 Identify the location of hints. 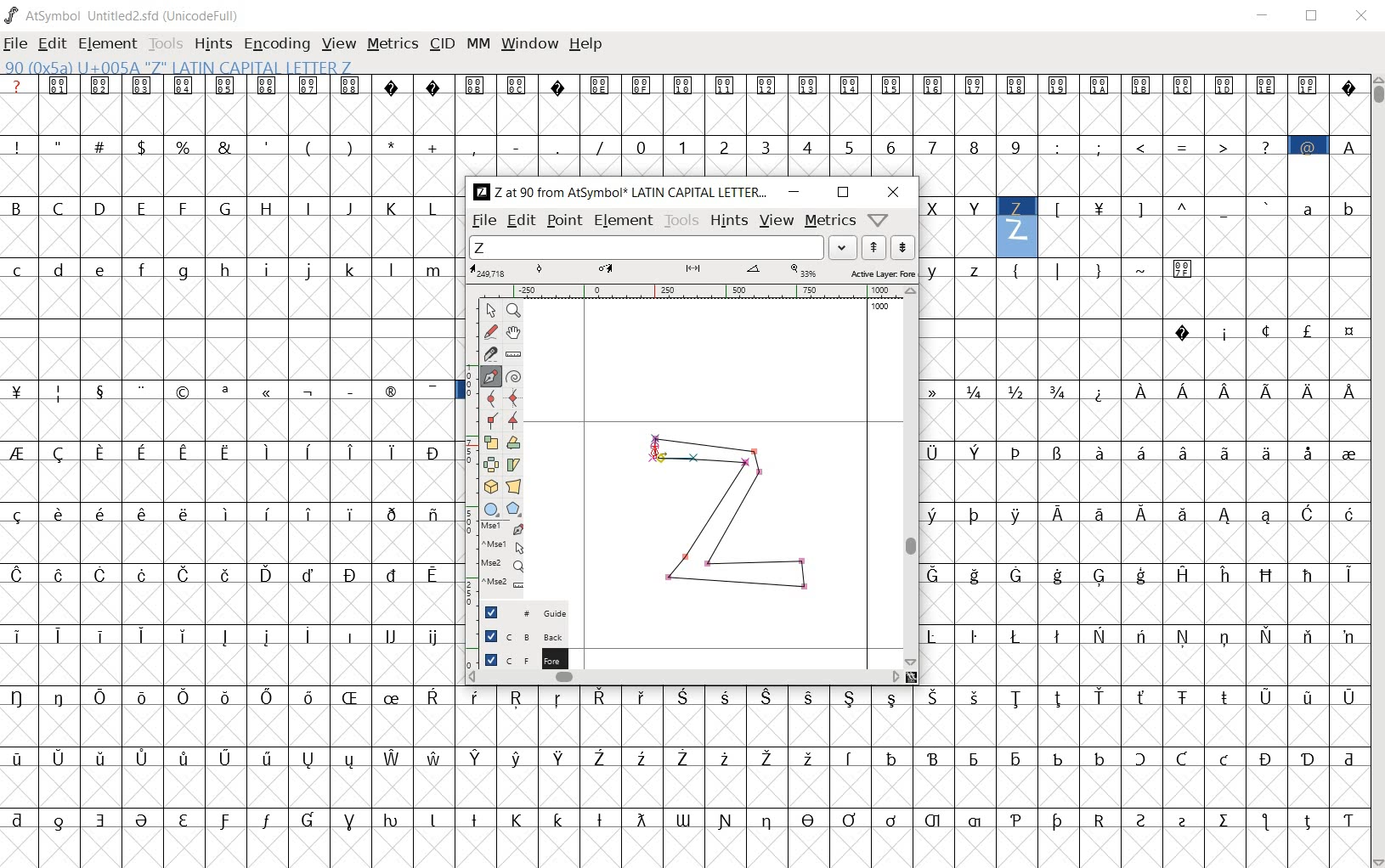
(728, 222).